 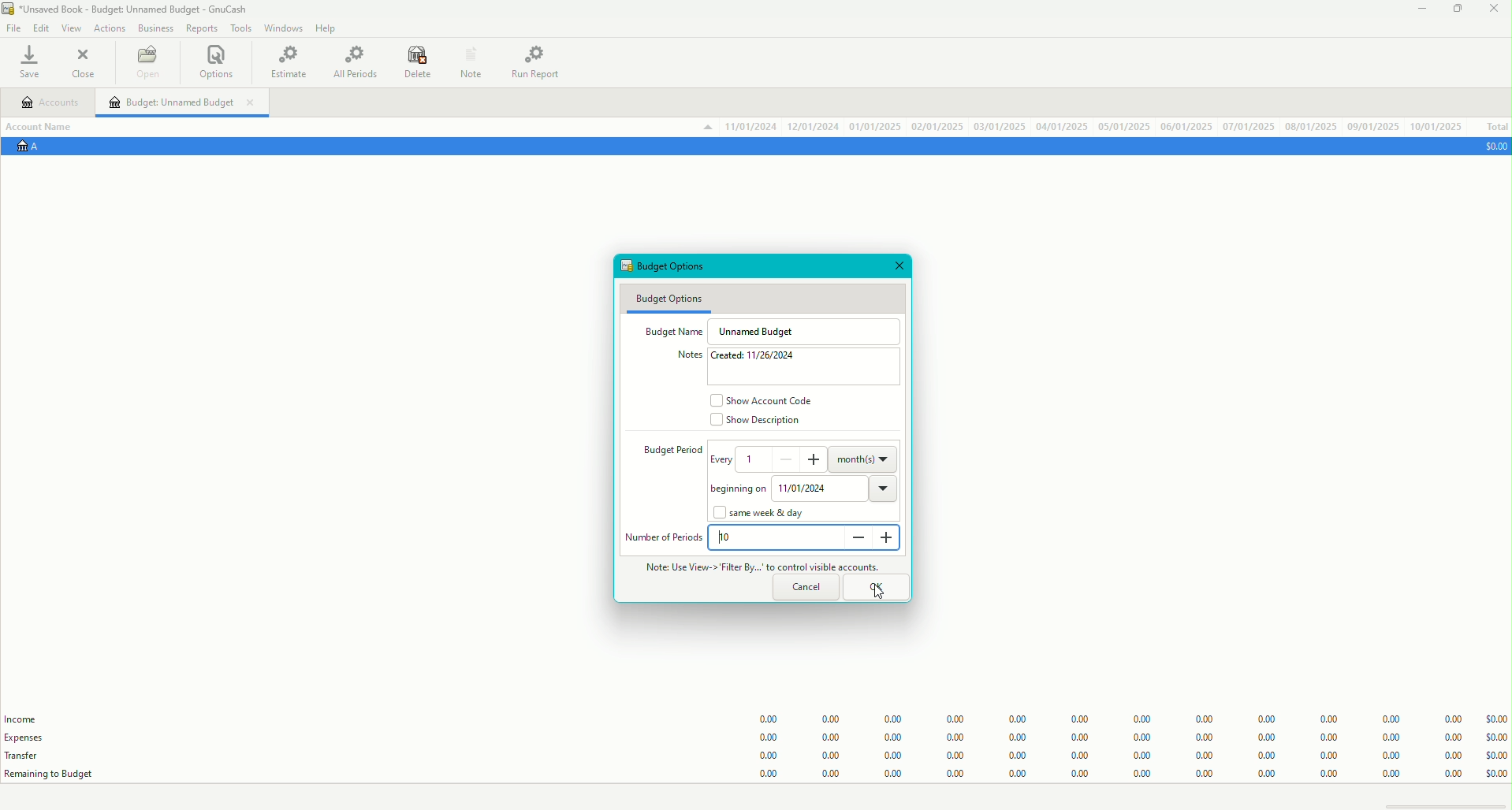 What do you see at coordinates (762, 331) in the screenshot?
I see `Unnamed Budget` at bounding box center [762, 331].